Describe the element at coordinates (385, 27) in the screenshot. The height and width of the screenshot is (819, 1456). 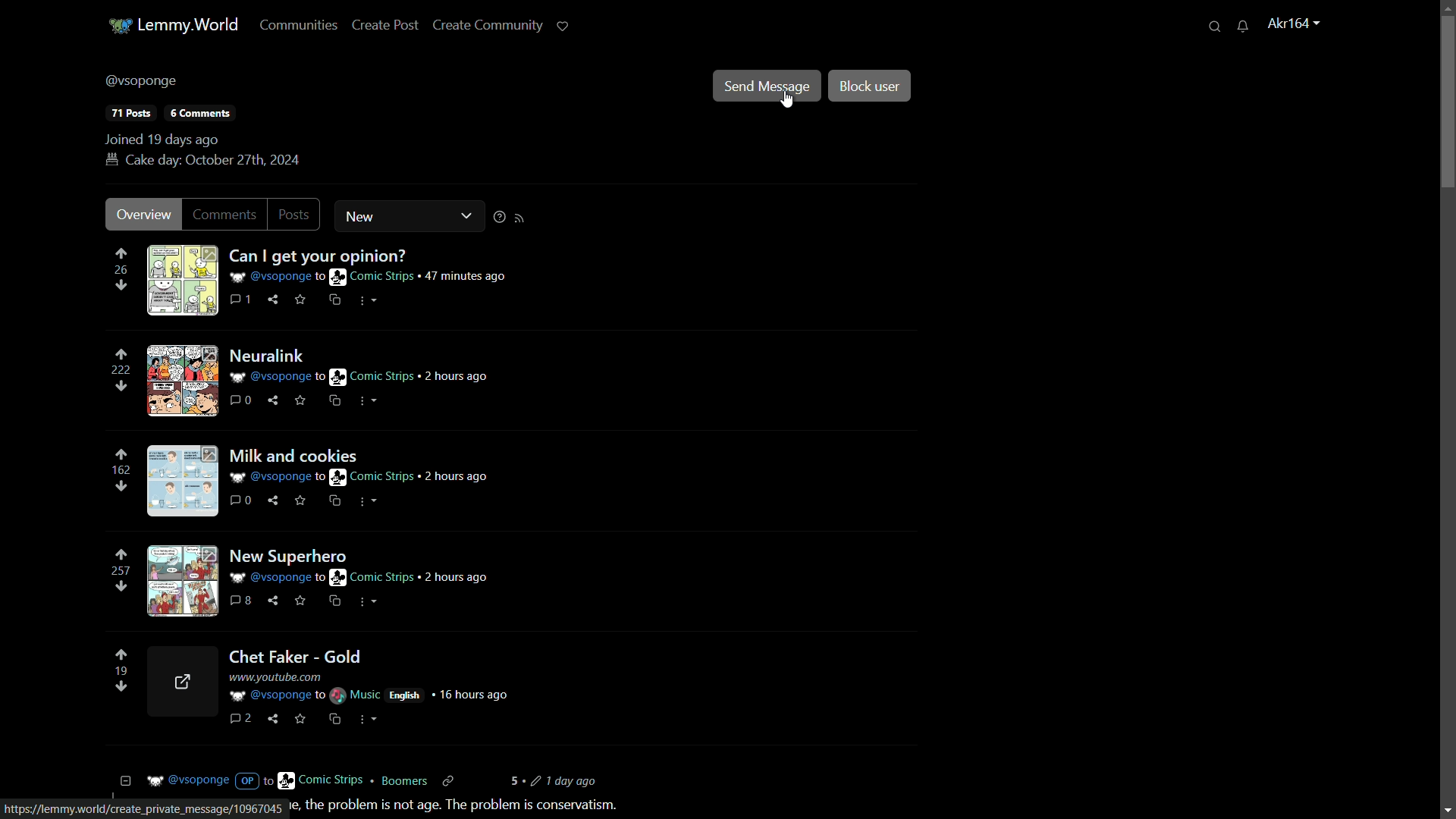
I see `create post` at that location.